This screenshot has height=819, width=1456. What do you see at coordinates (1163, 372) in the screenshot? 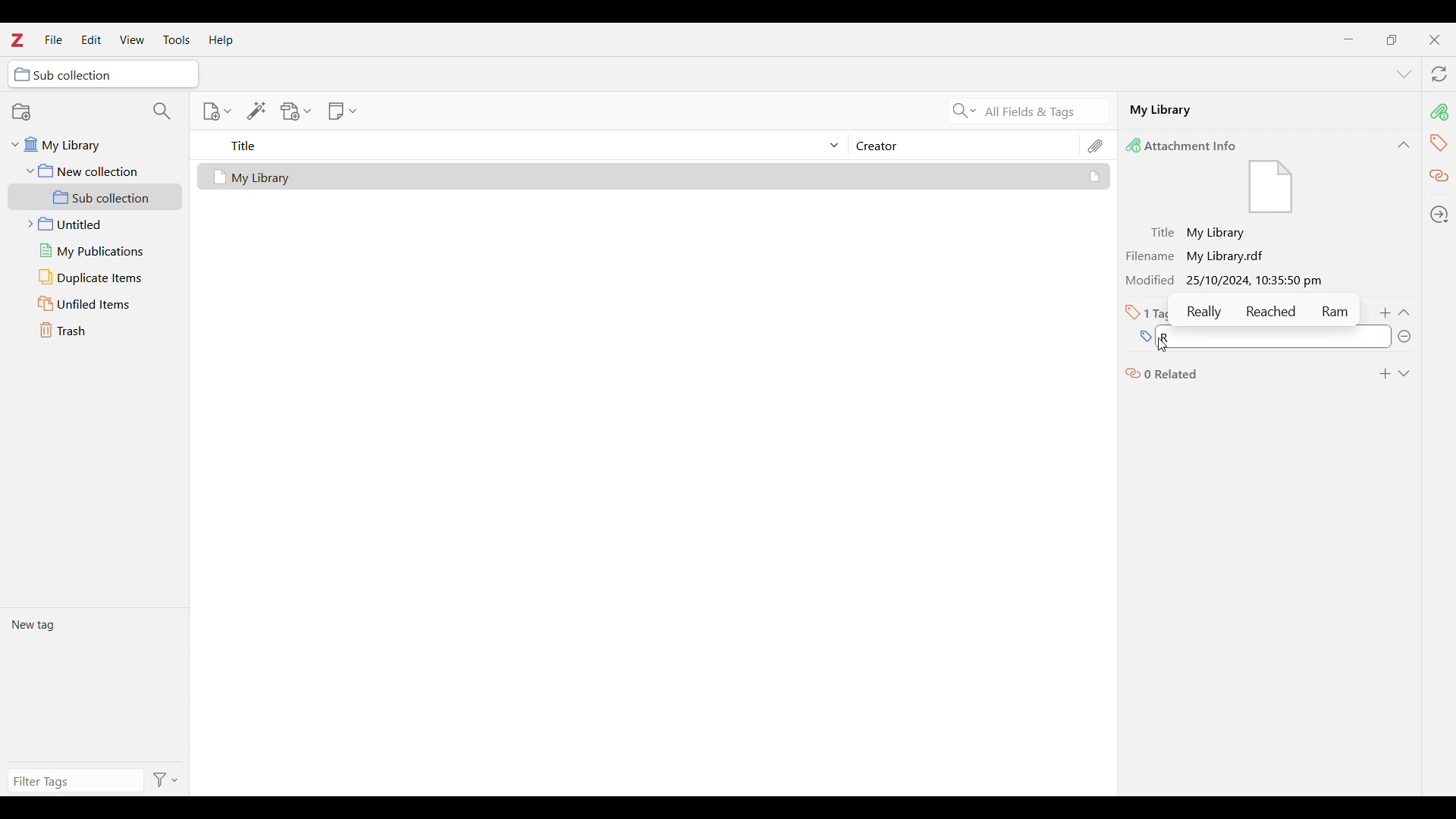
I see `0 related` at bounding box center [1163, 372].